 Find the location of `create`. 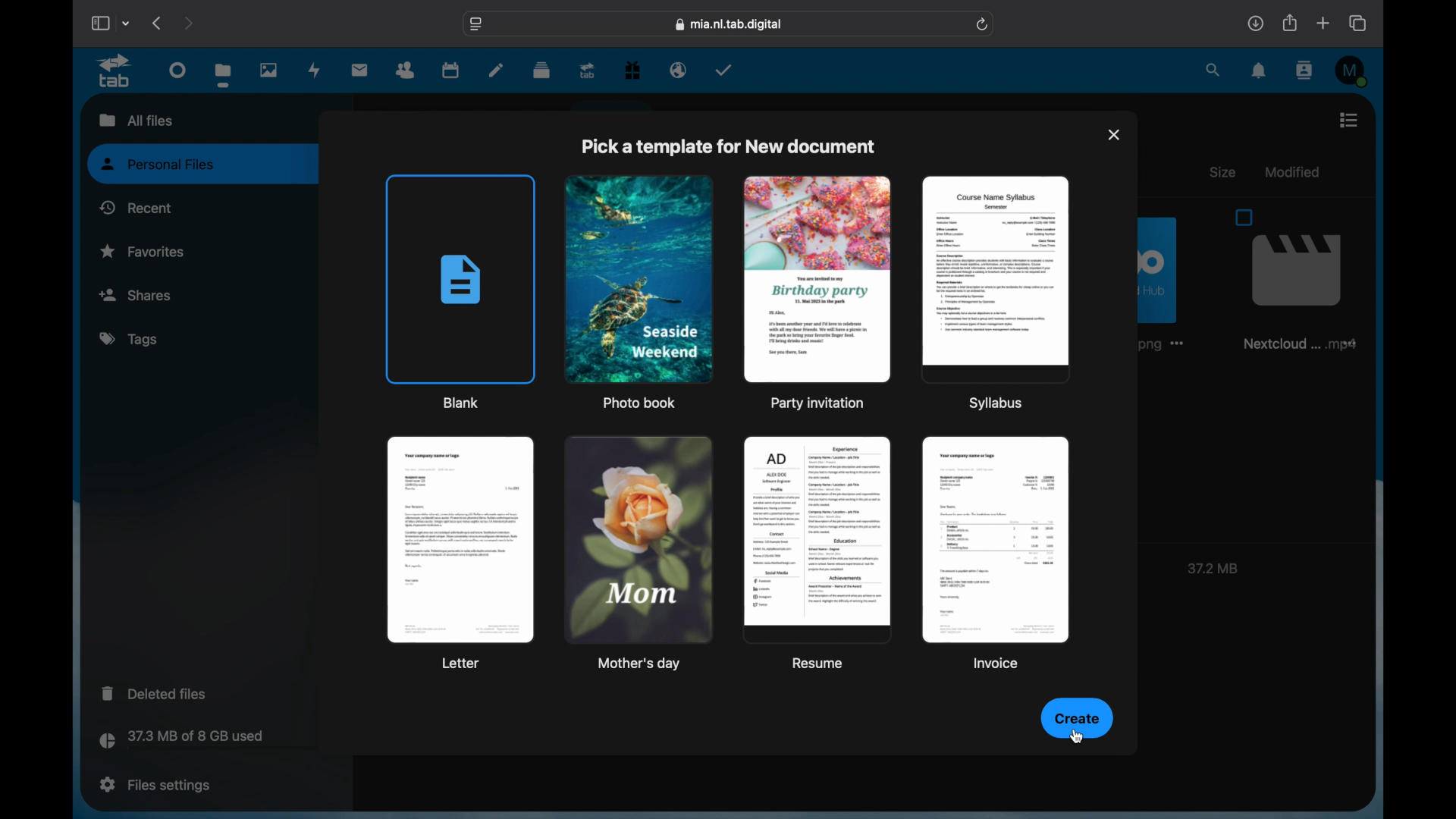

create is located at coordinates (1077, 719).